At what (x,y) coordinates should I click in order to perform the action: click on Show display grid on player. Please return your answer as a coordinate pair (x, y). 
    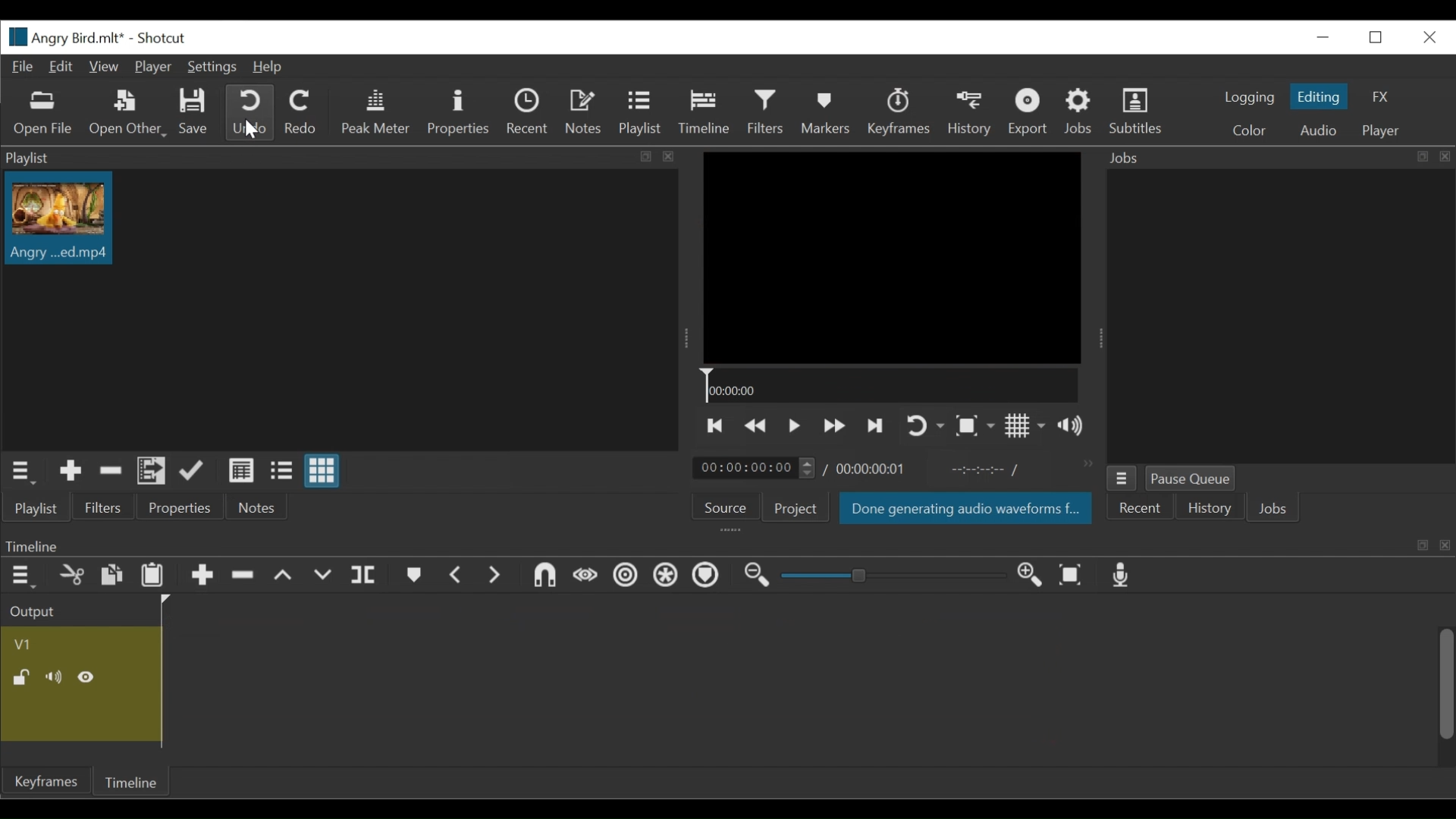
    Looking at the image, I should click on (1026, 425).